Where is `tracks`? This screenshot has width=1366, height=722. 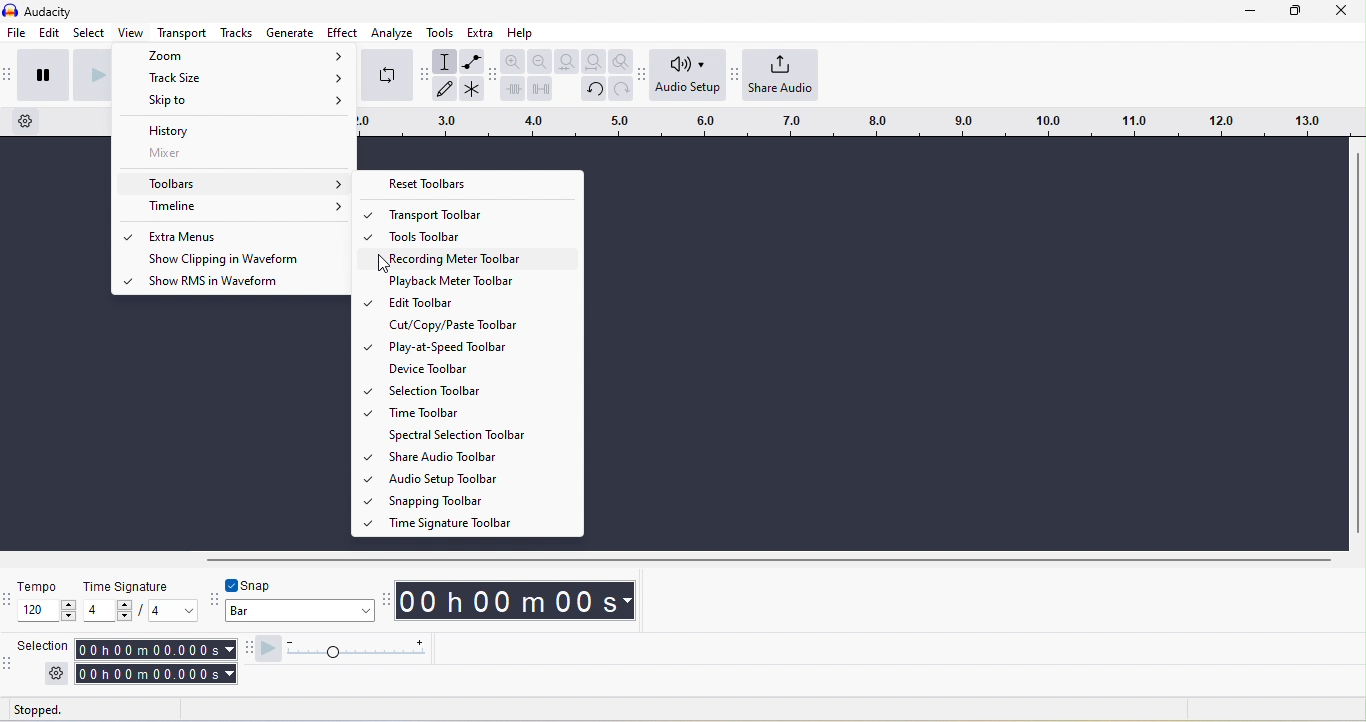 tracks is located at coordinates (236, 32).